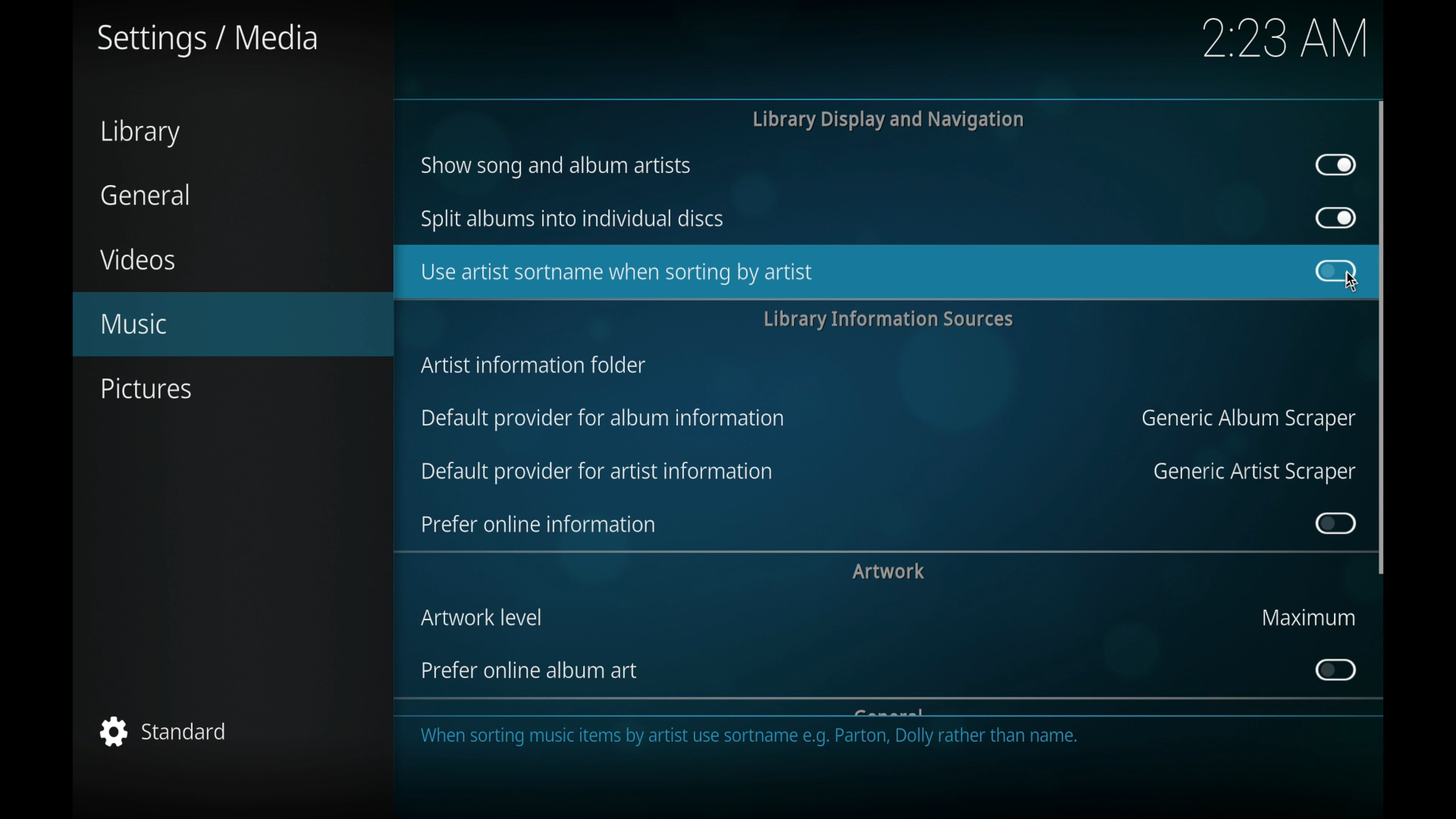  Describe the element at coordinates (557, 166) in the screenshot. I see `show song and album artists` at that location.